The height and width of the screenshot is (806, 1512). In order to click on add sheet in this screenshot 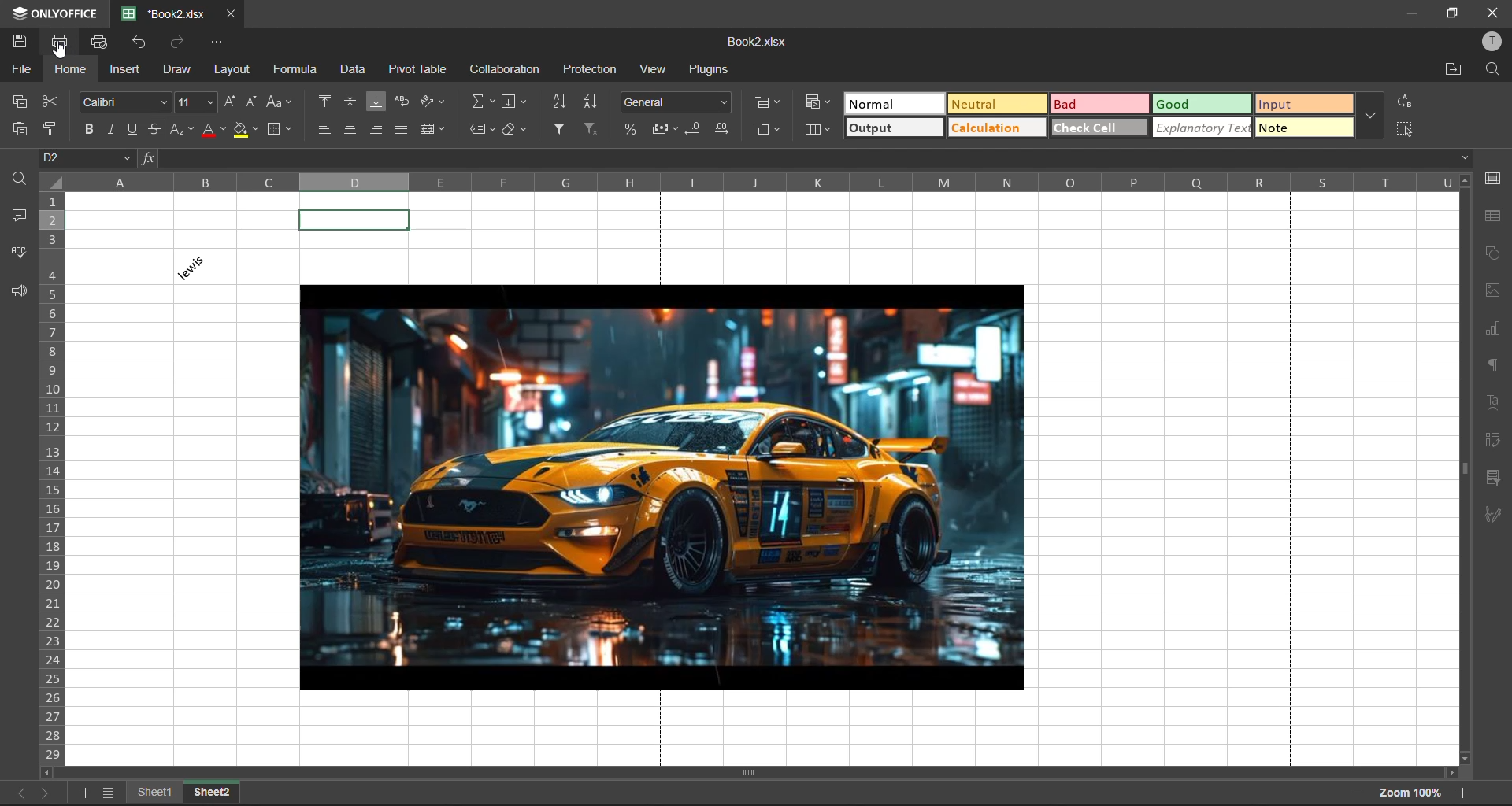, I will do `click(87, 794)`.